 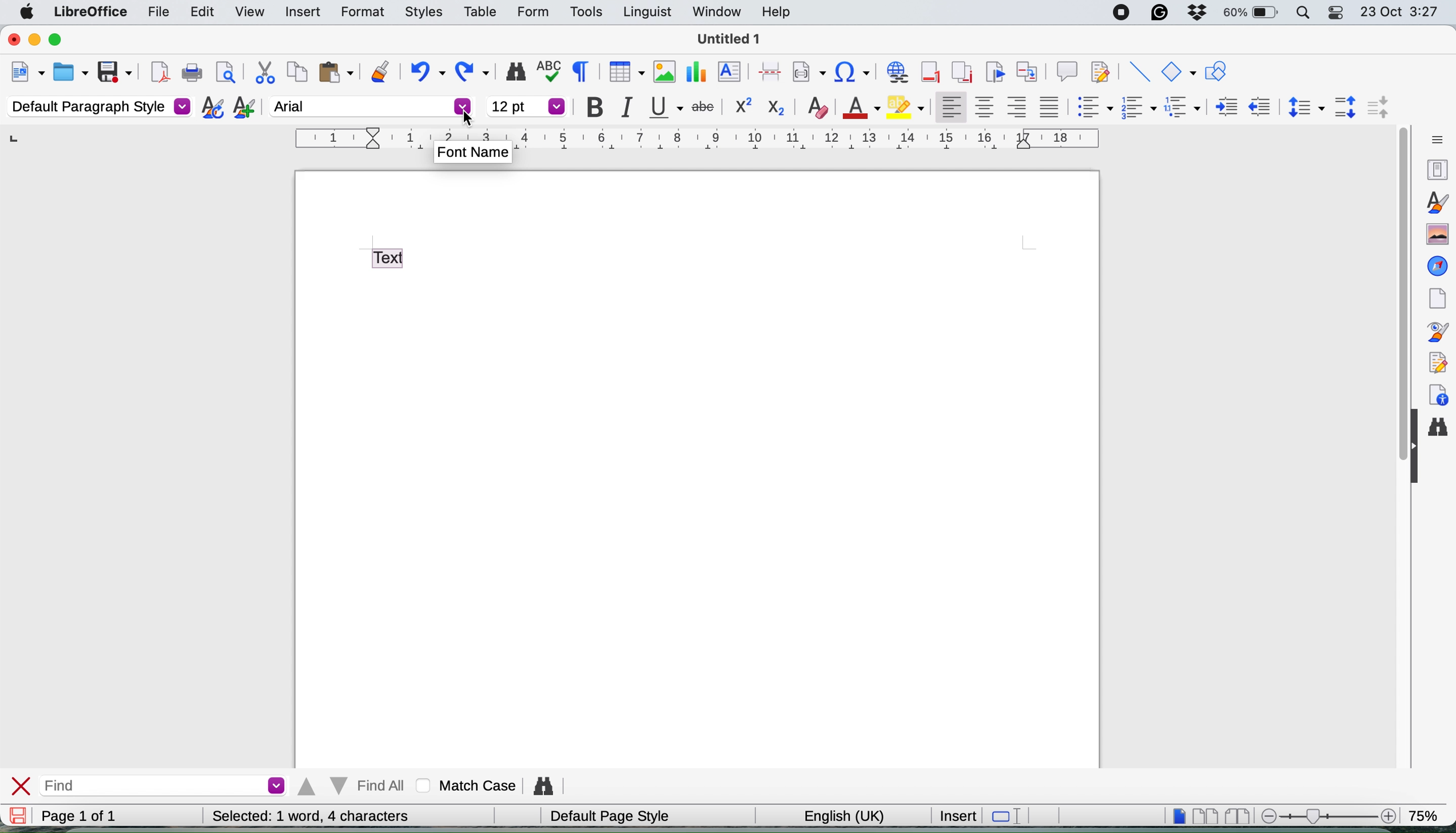 What do you see at coordinates (390, 256) in the screenshot?
I see `highlight text` at bounding box center [390, 256].